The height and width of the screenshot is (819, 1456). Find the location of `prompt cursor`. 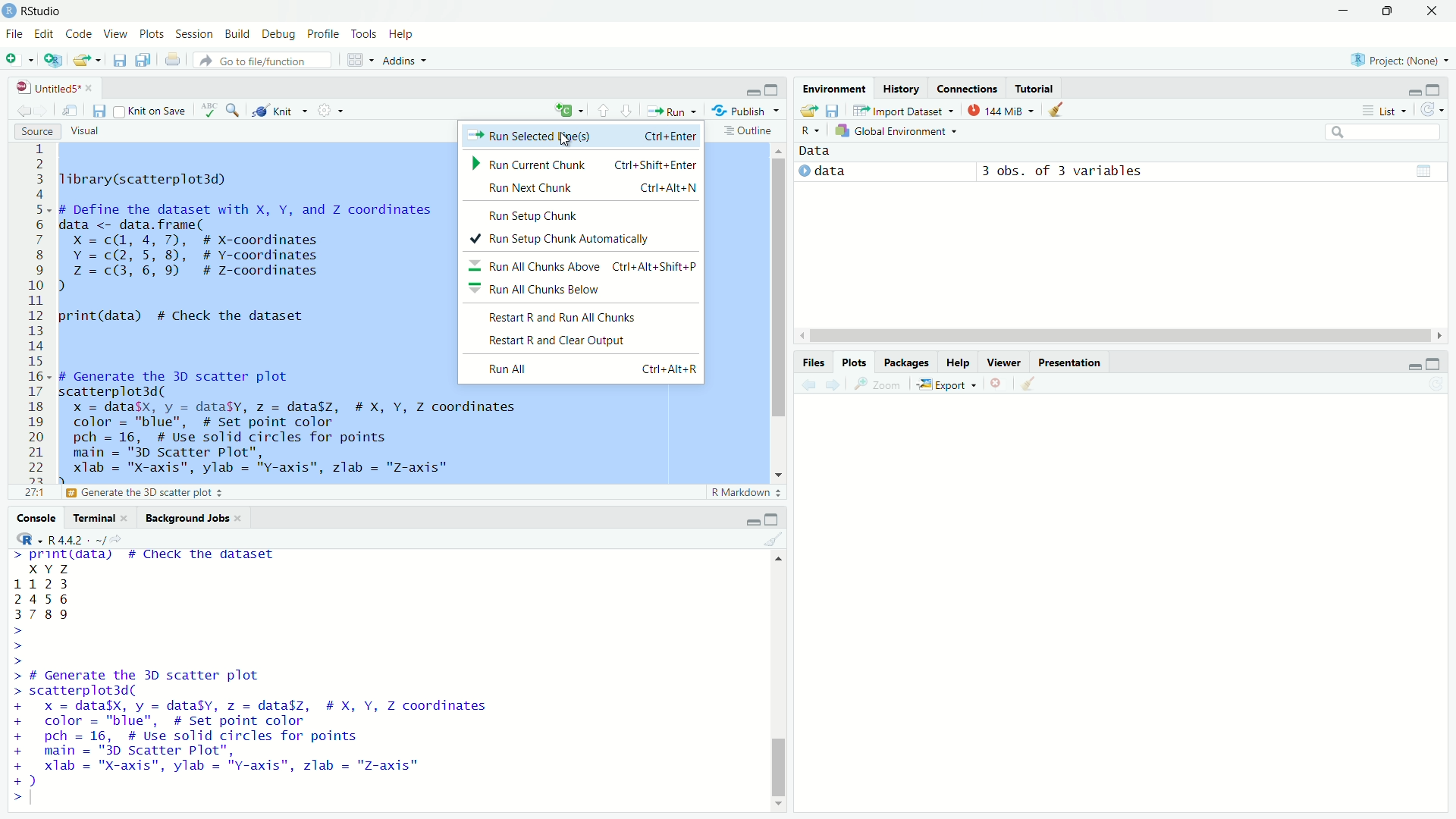

prompt cursor is located at coordinates (13, 646).